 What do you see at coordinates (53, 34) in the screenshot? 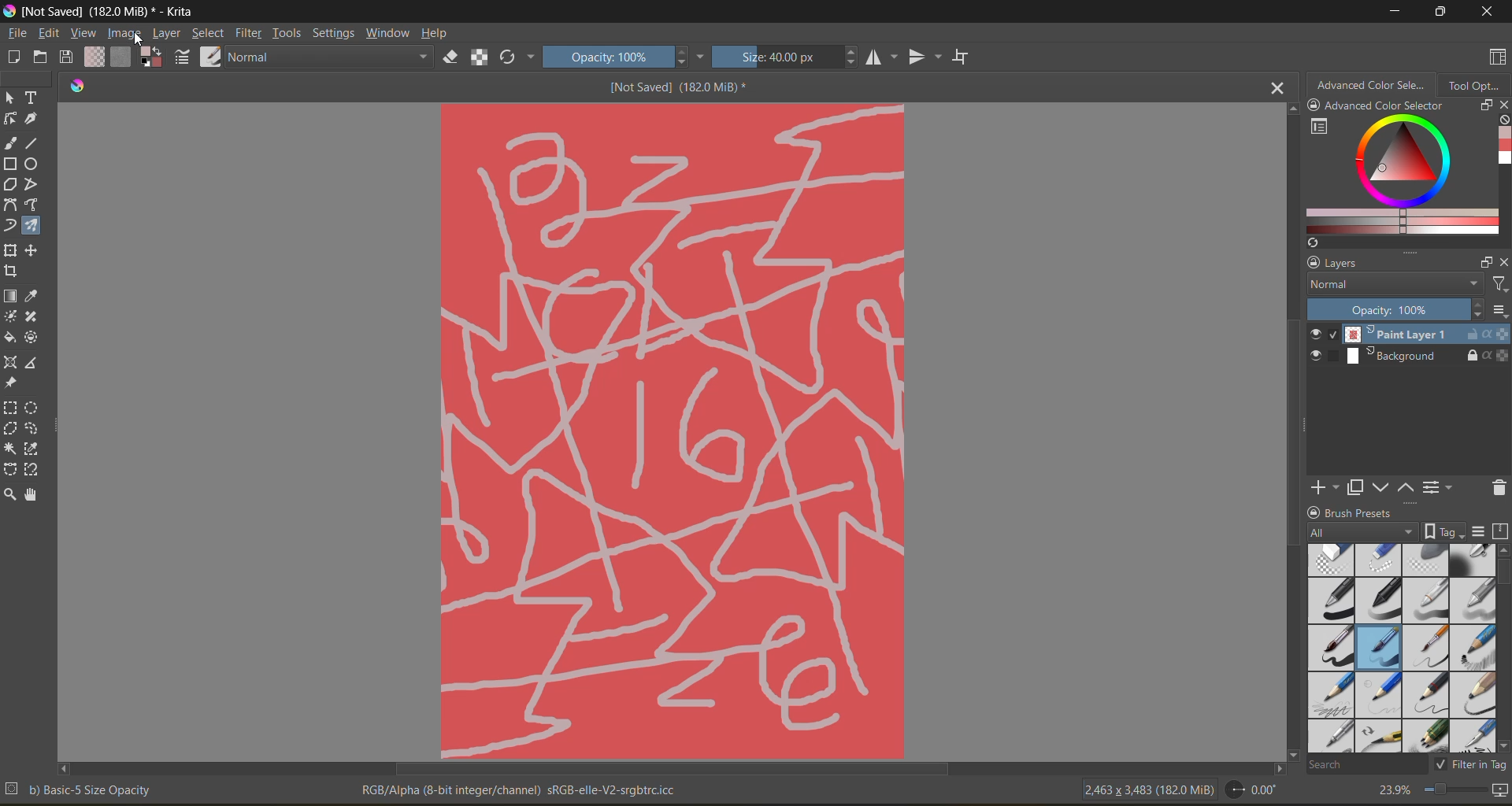
I see `edit` at bounding box center [53, 34].